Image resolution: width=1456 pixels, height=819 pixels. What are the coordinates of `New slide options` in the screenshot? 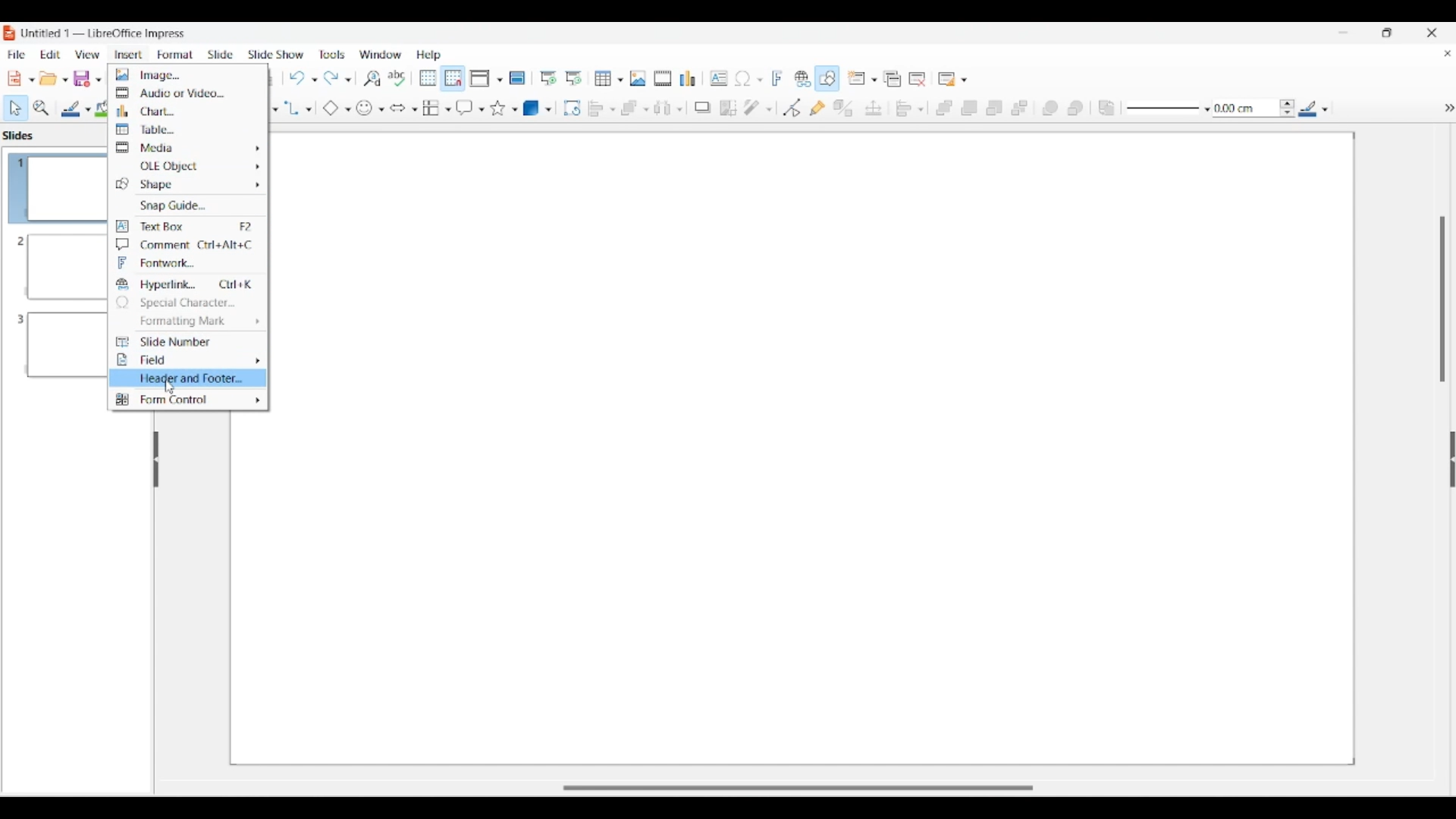 It's located at (862, 78).